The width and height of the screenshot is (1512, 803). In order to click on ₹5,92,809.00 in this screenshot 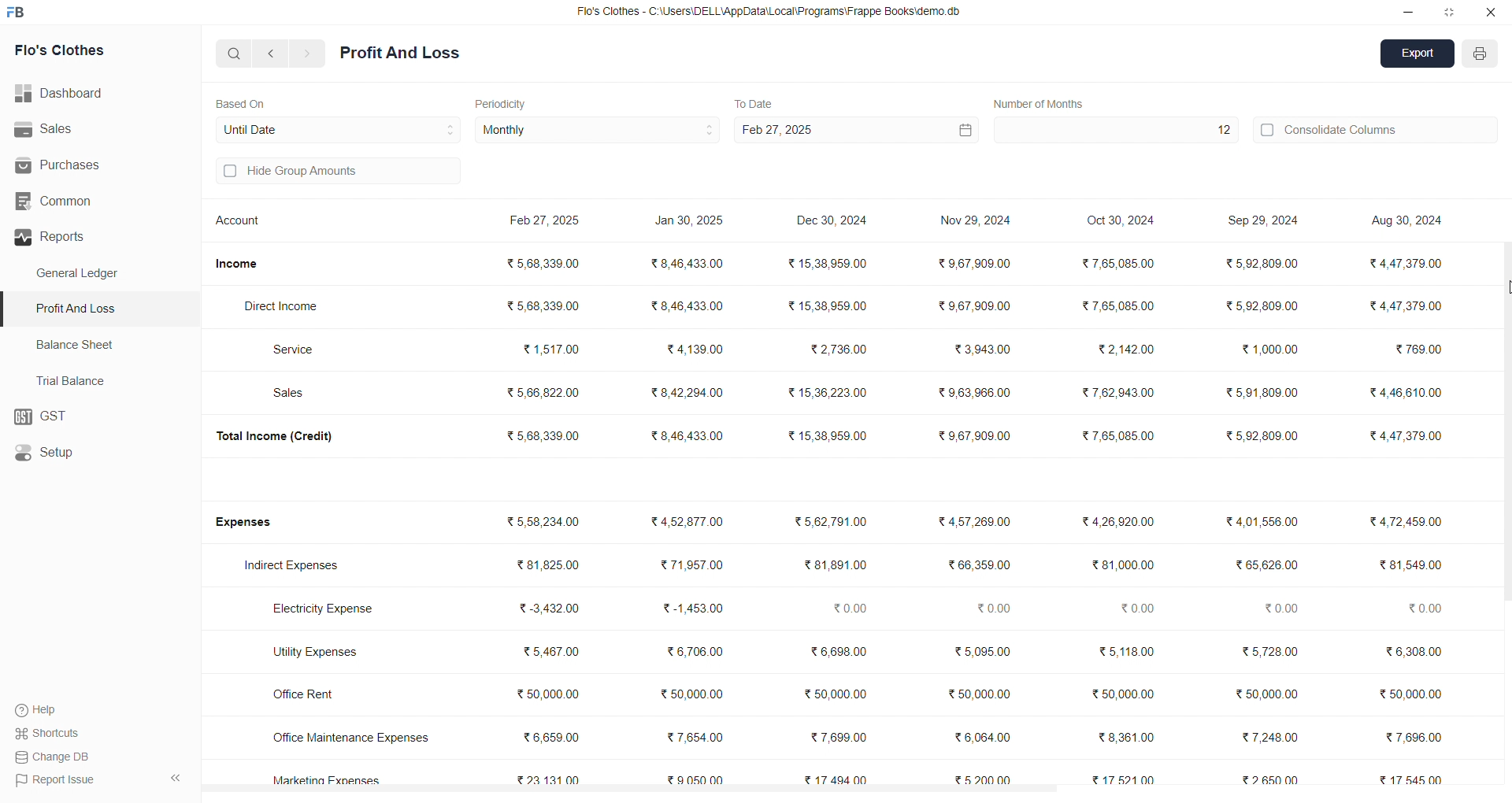, I will do `click(1257, 435)`.